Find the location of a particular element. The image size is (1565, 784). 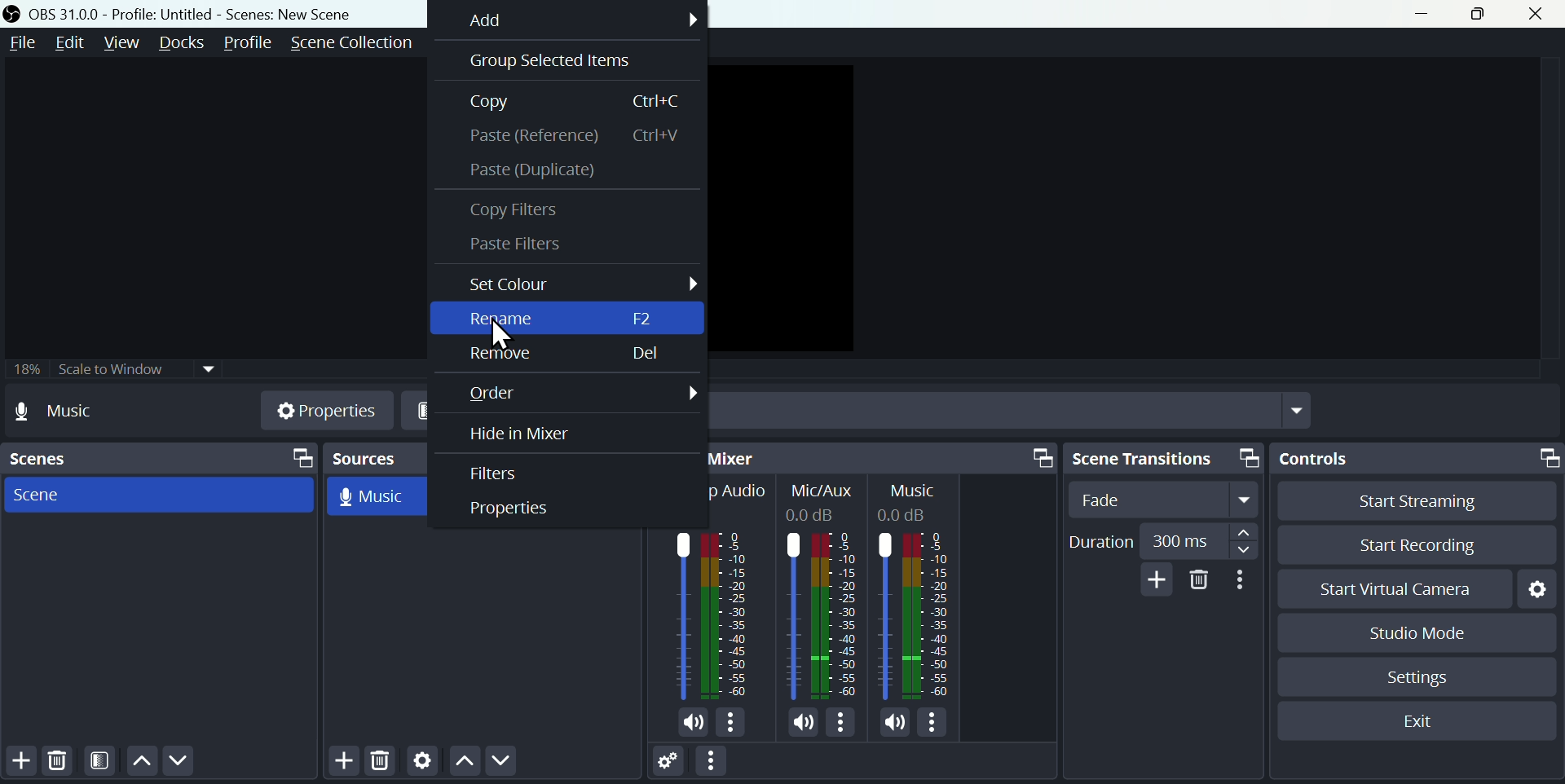

Docks is located at coordinates (180, 42).